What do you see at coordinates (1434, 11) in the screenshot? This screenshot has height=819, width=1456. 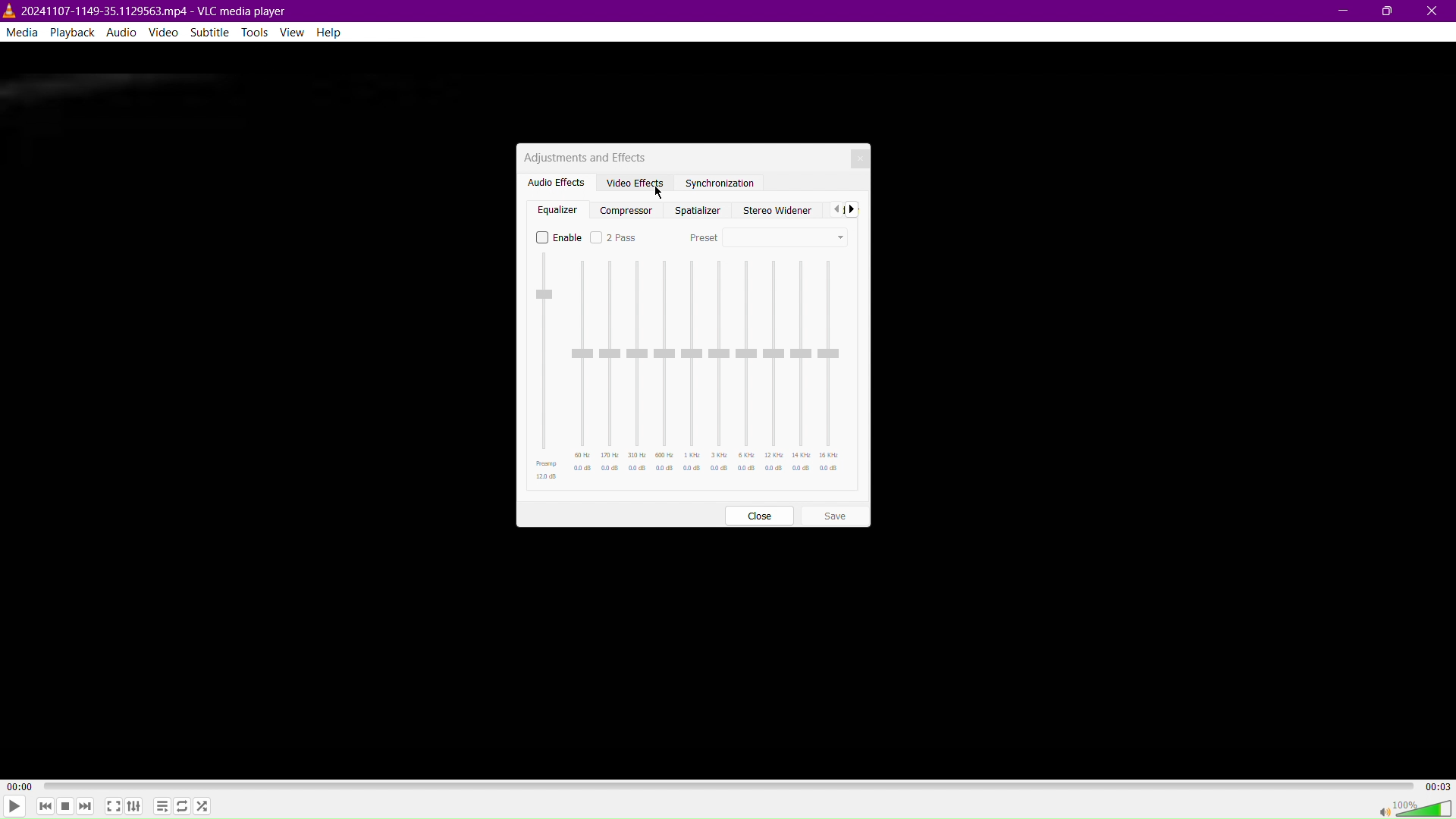 I see `Close` at bounding box center [1434, 11].